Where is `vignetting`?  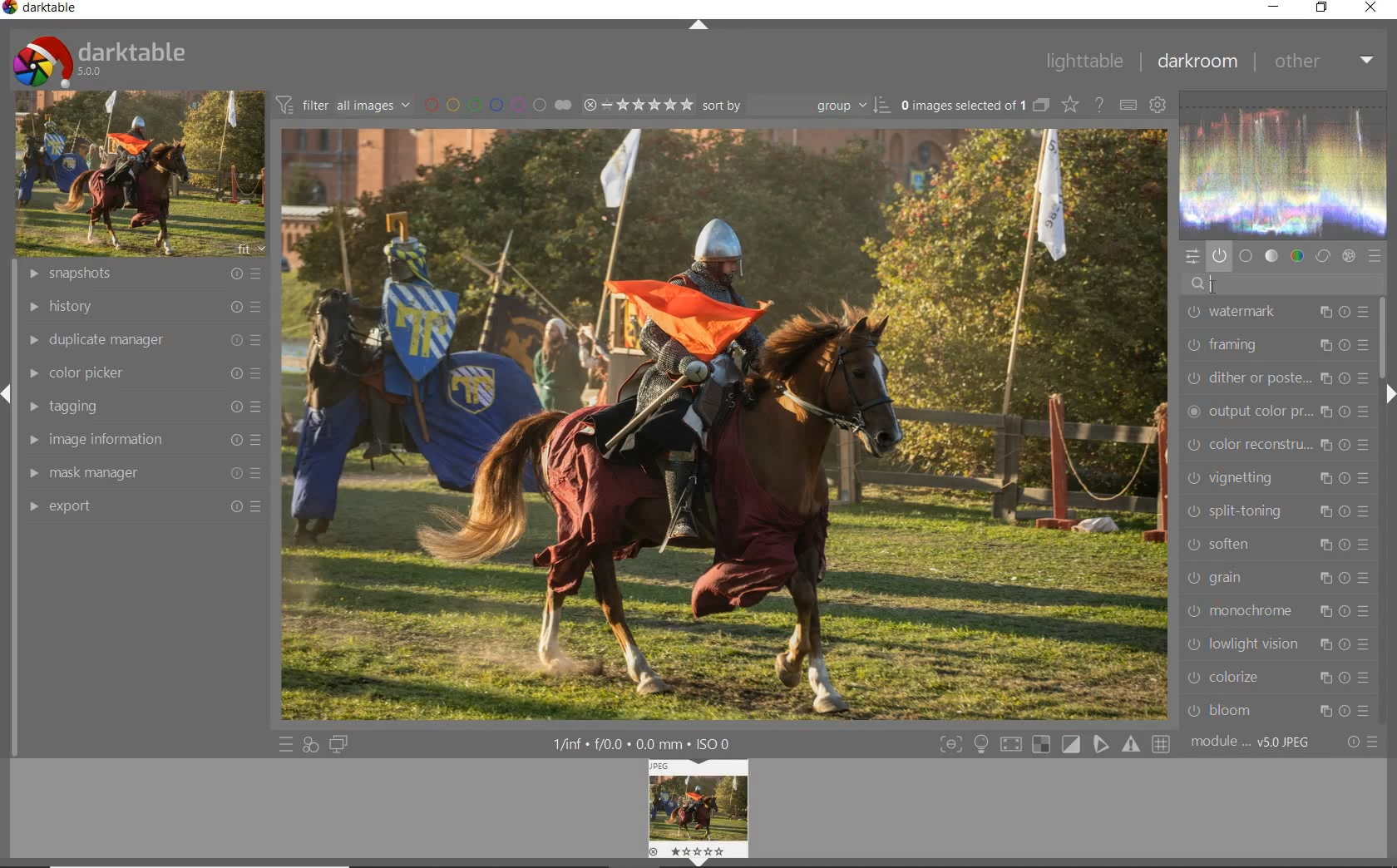
vignetting is located at coordinates (1277, 480).